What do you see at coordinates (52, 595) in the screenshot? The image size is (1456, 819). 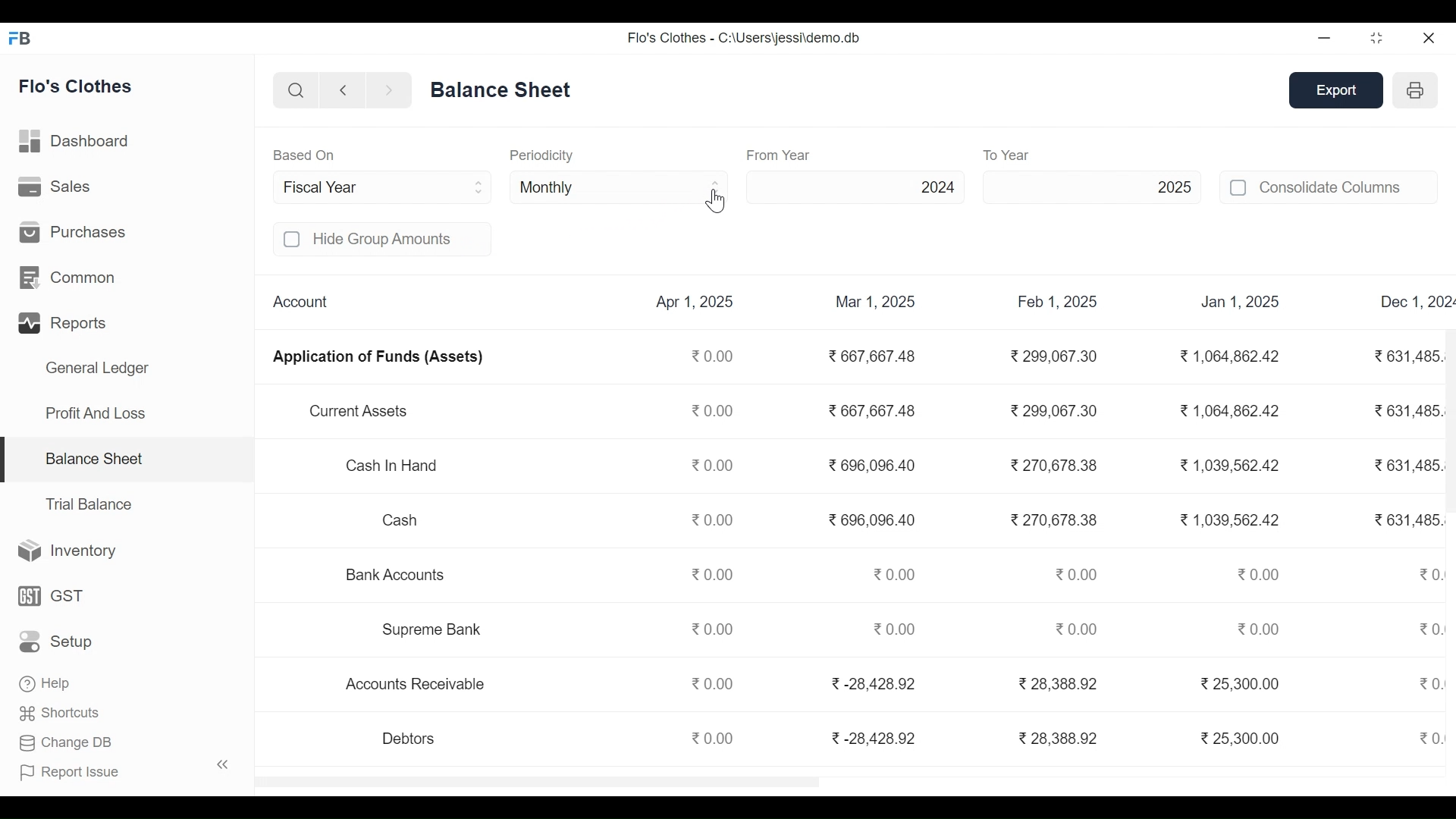 I see `gst` at bounding box center [52, 595].